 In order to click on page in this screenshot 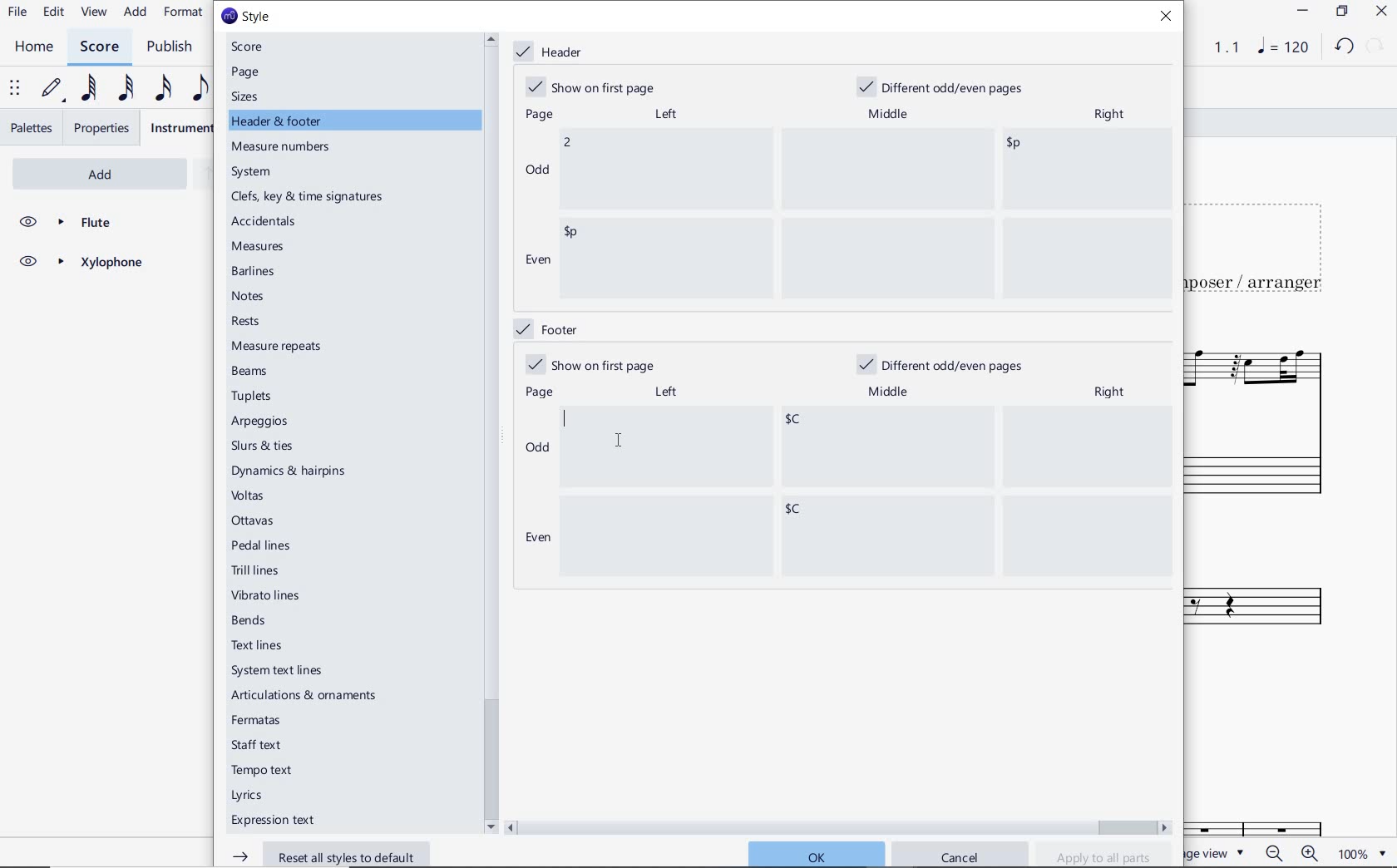, I will do `click(247, 72)`.